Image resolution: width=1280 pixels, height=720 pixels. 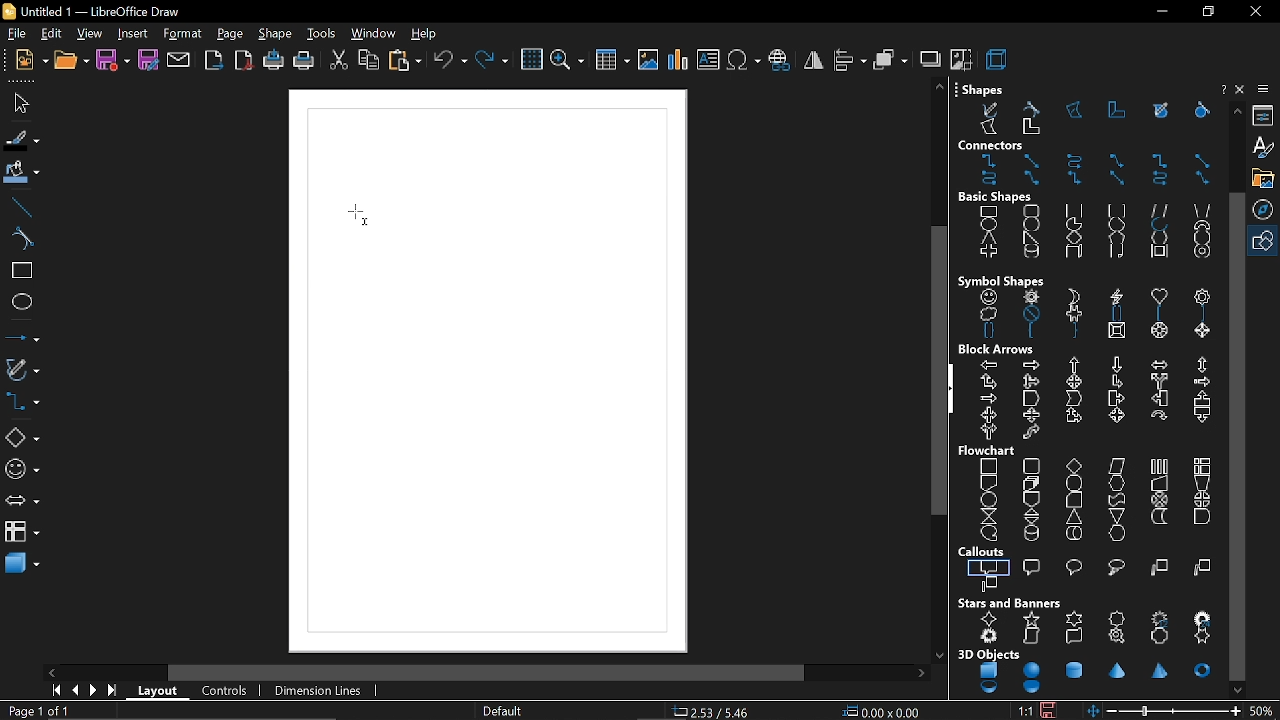 I want to click on previous page, so click(x=72, y=692).